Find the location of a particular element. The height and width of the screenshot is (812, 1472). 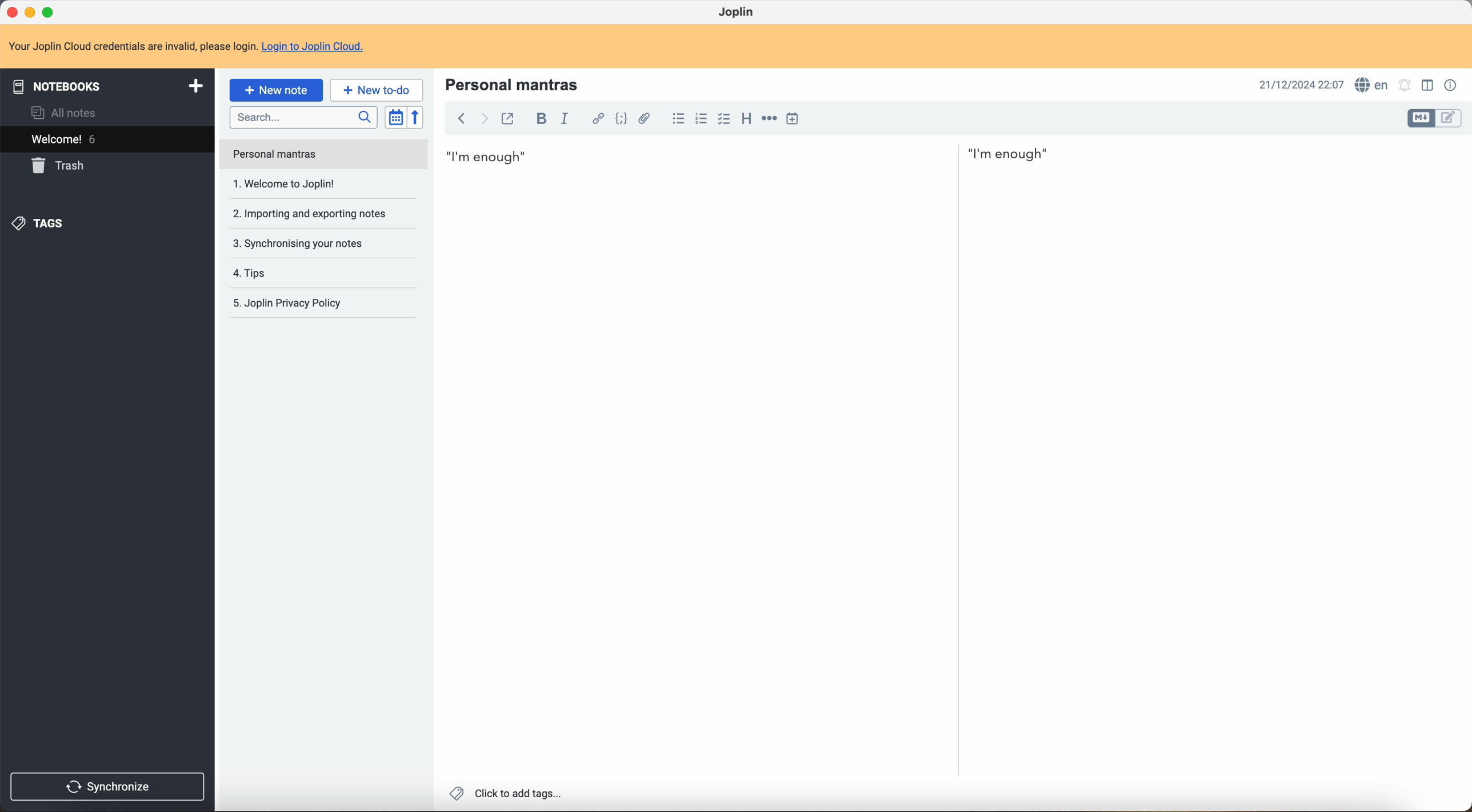

horizontal rule is located at coordinates (770, 121).